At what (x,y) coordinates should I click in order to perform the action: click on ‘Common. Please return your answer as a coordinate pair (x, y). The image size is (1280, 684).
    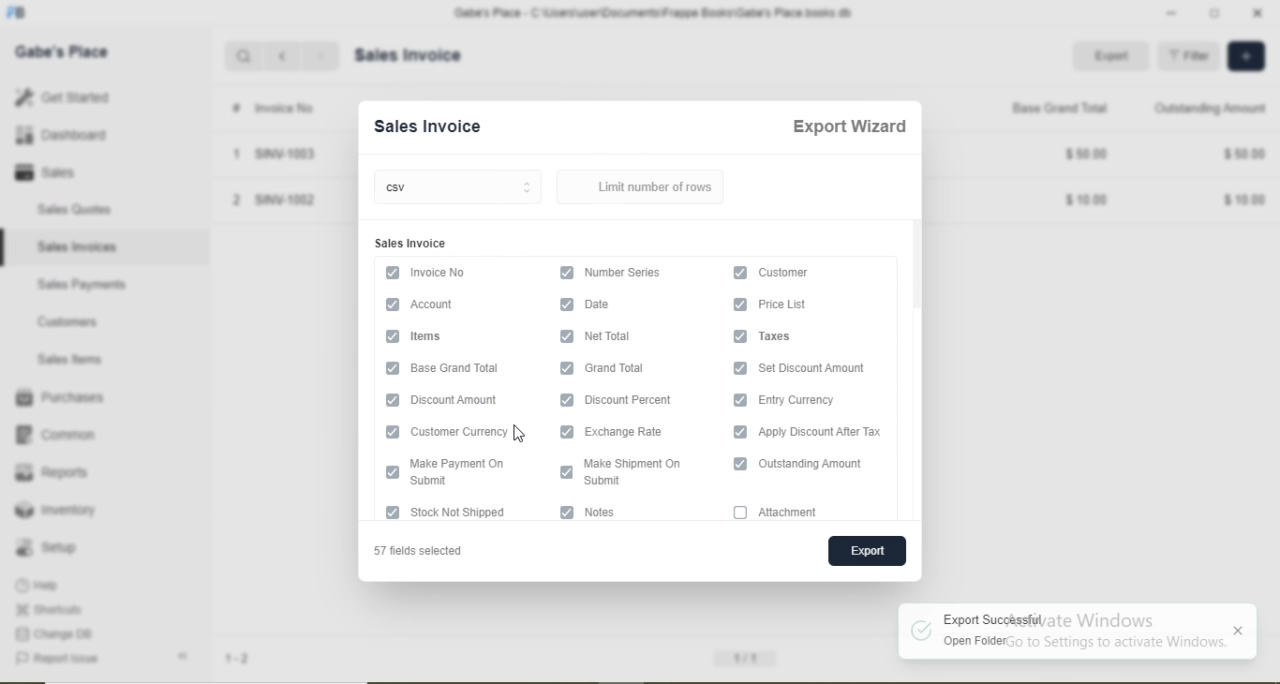
    Looking at the image, I should click on (61, 435).